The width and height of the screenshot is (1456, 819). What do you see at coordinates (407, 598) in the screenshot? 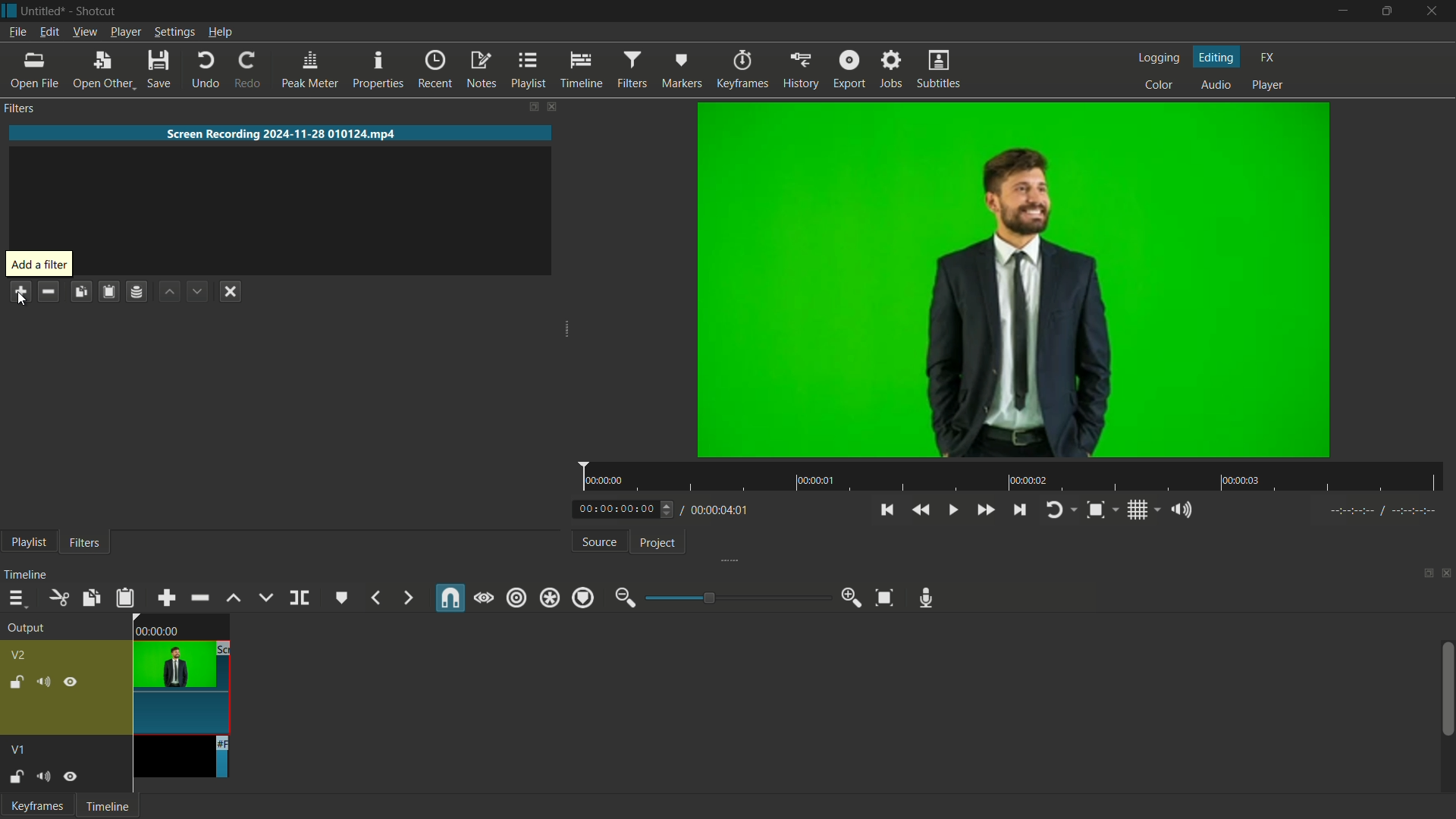
I see `next marker` at bounding box center [407, 598].